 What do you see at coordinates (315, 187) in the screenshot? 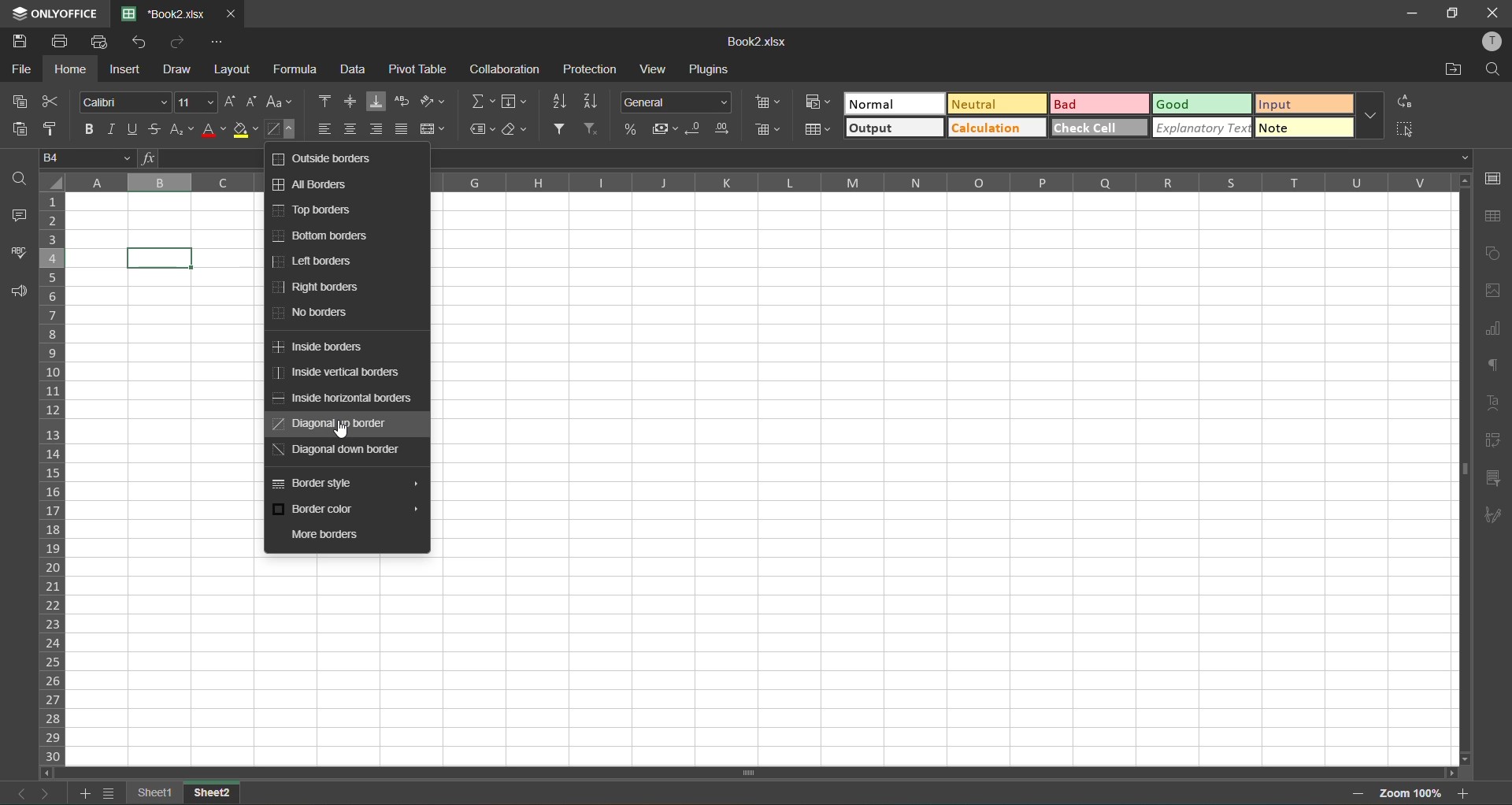
I see `all borders` at bounding box center [315, 187].